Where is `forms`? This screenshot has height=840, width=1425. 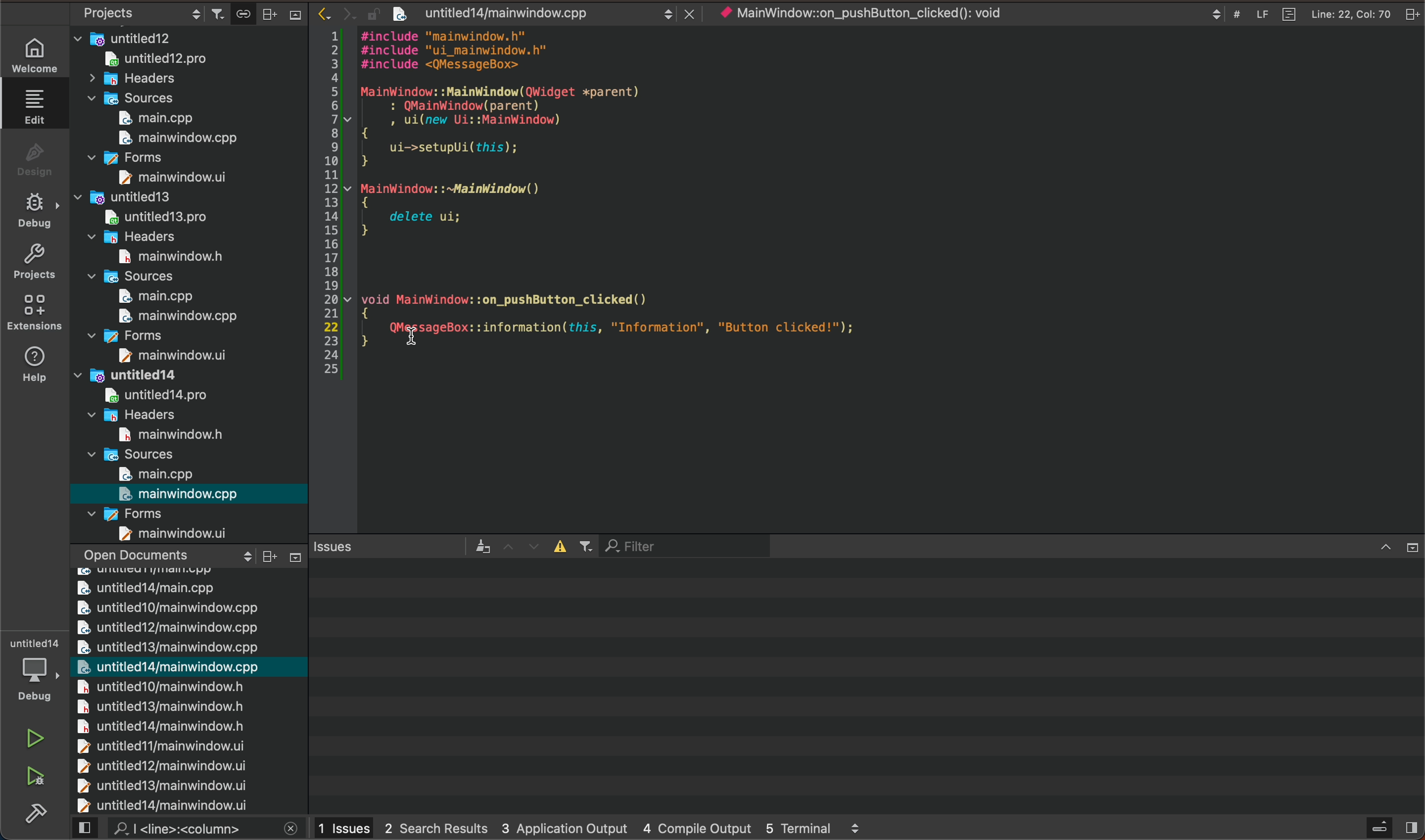 forms is located at coordinates (130, 159).